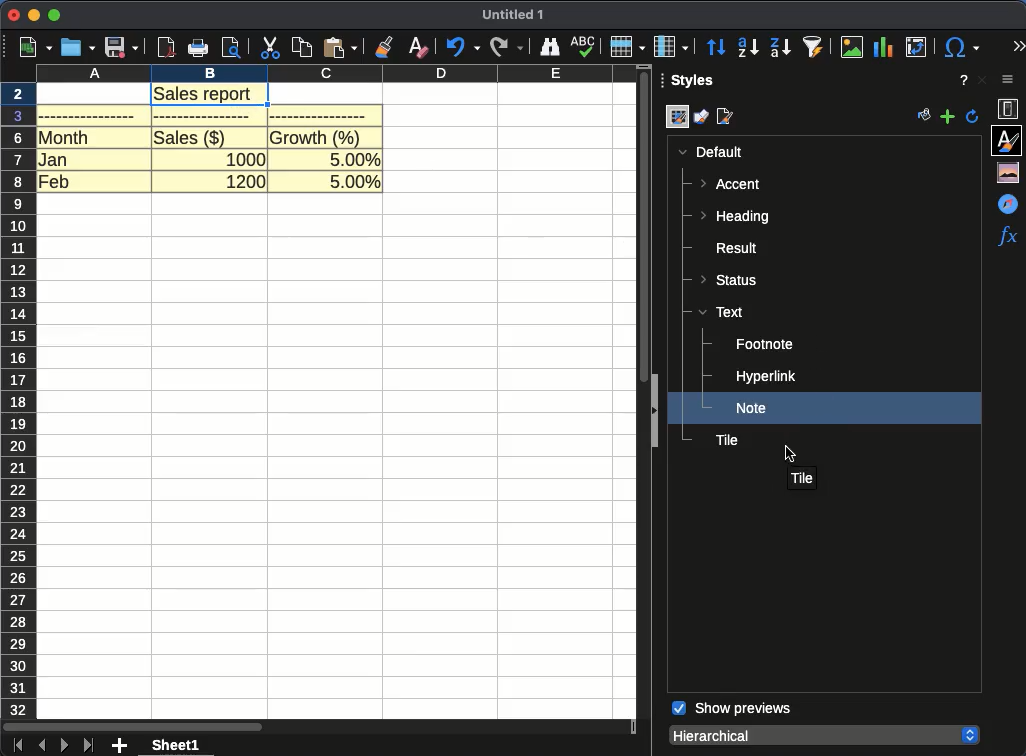  I want to click on heading, so click(734, 218).